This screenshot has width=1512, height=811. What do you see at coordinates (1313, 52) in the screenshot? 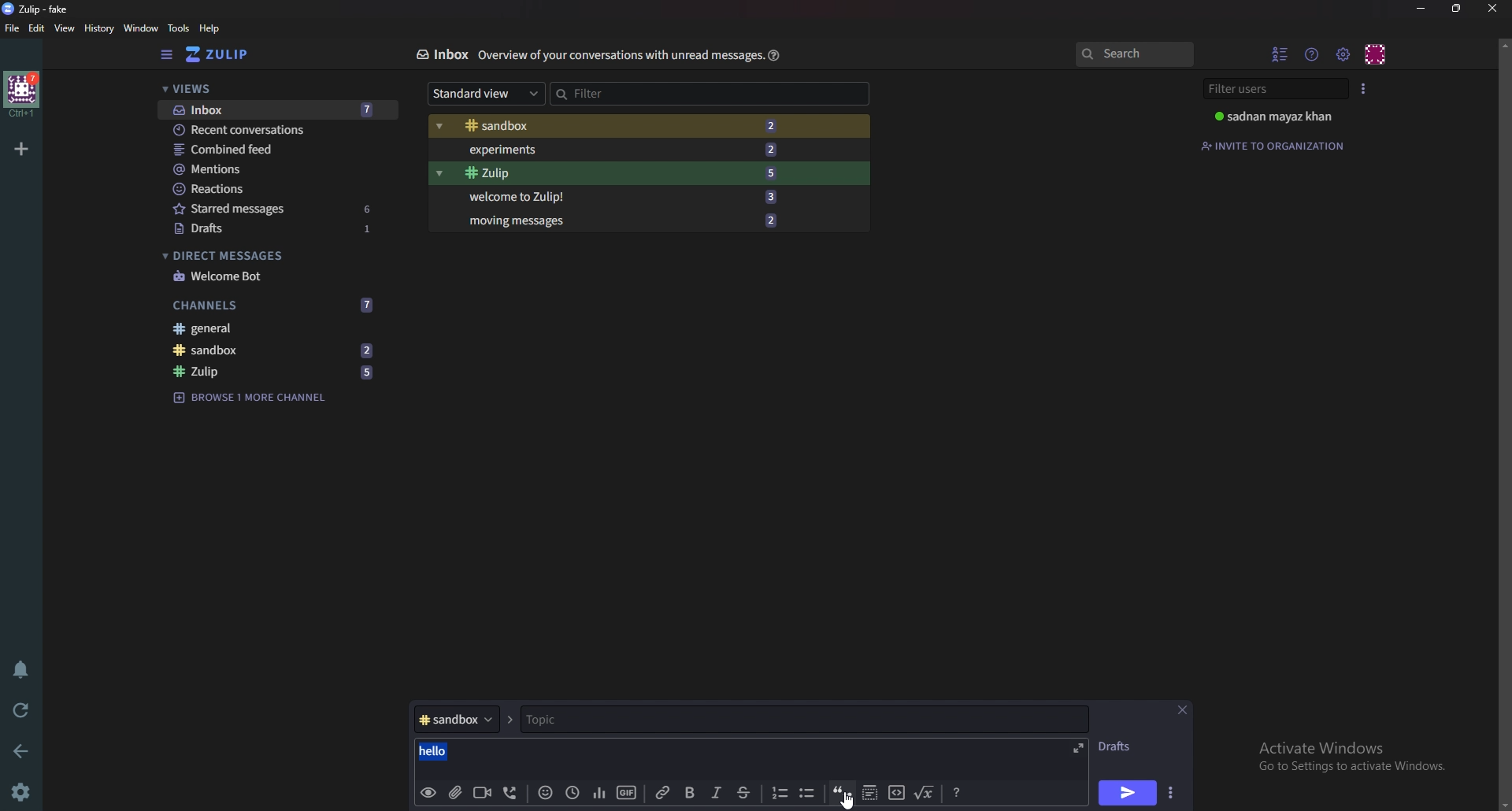
I see `Help menu` at bounding box center [1313, 52].